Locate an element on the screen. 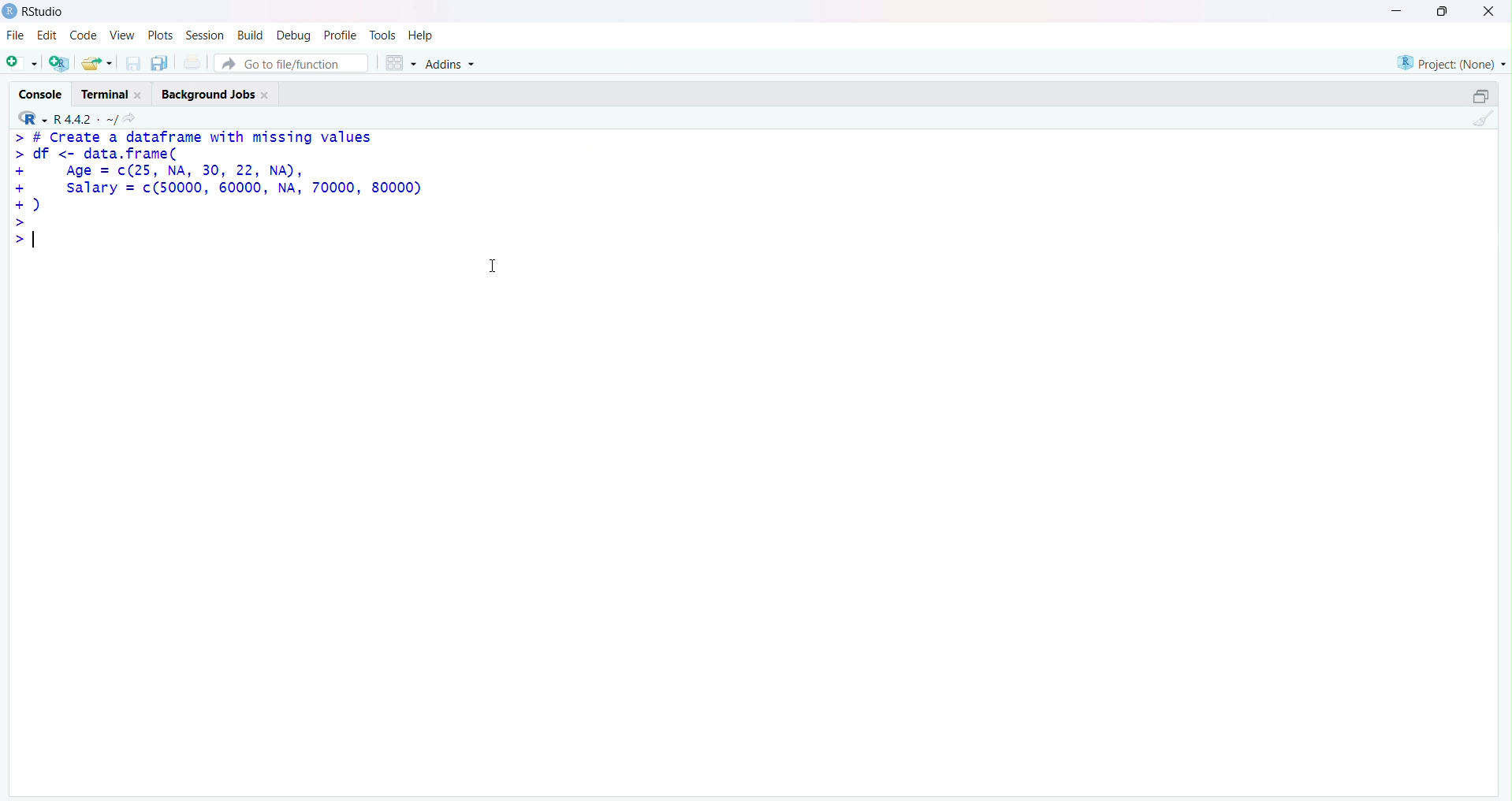  Tools is located at coordinates (384, 35).